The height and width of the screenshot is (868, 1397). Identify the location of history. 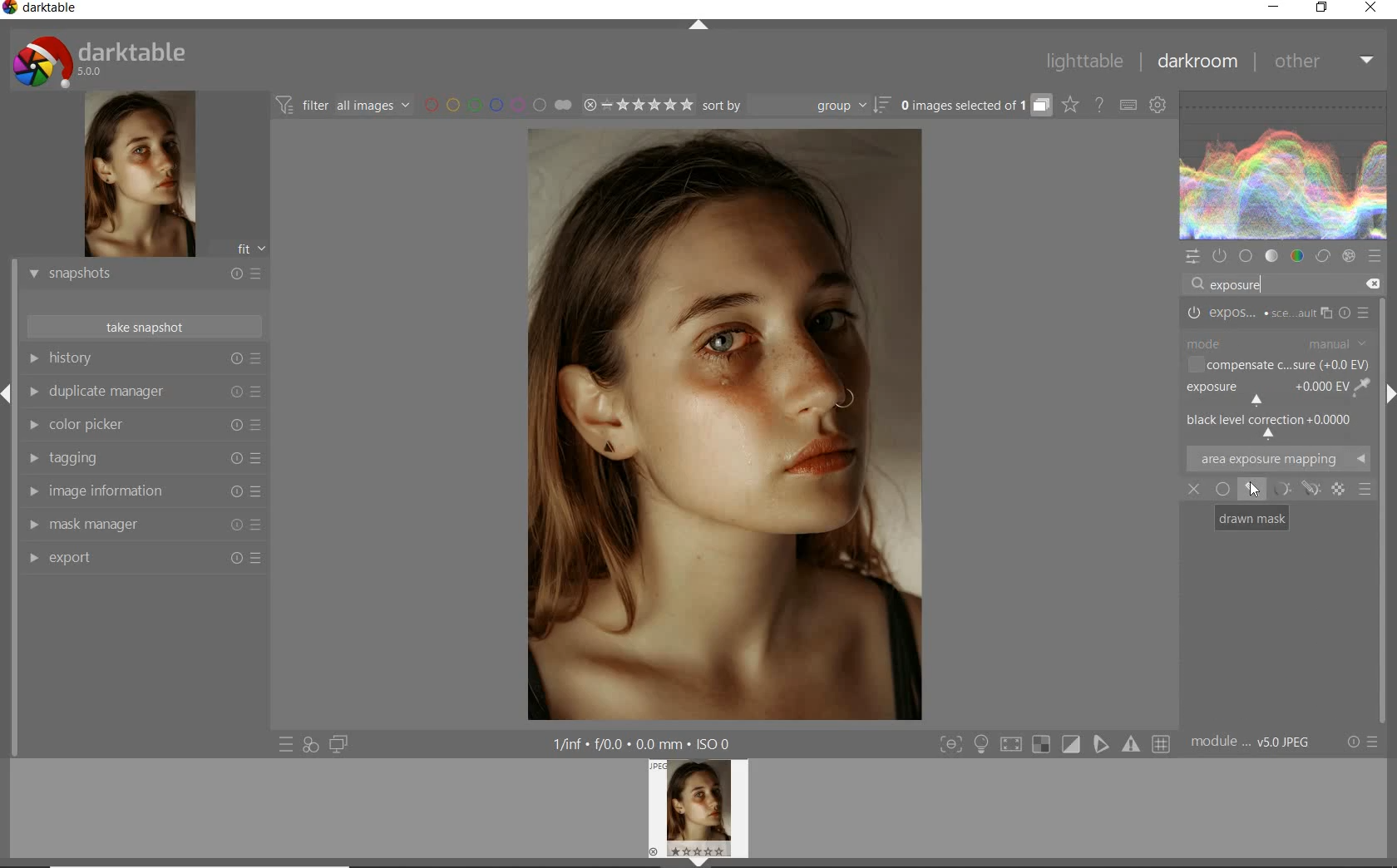
(142, 360).